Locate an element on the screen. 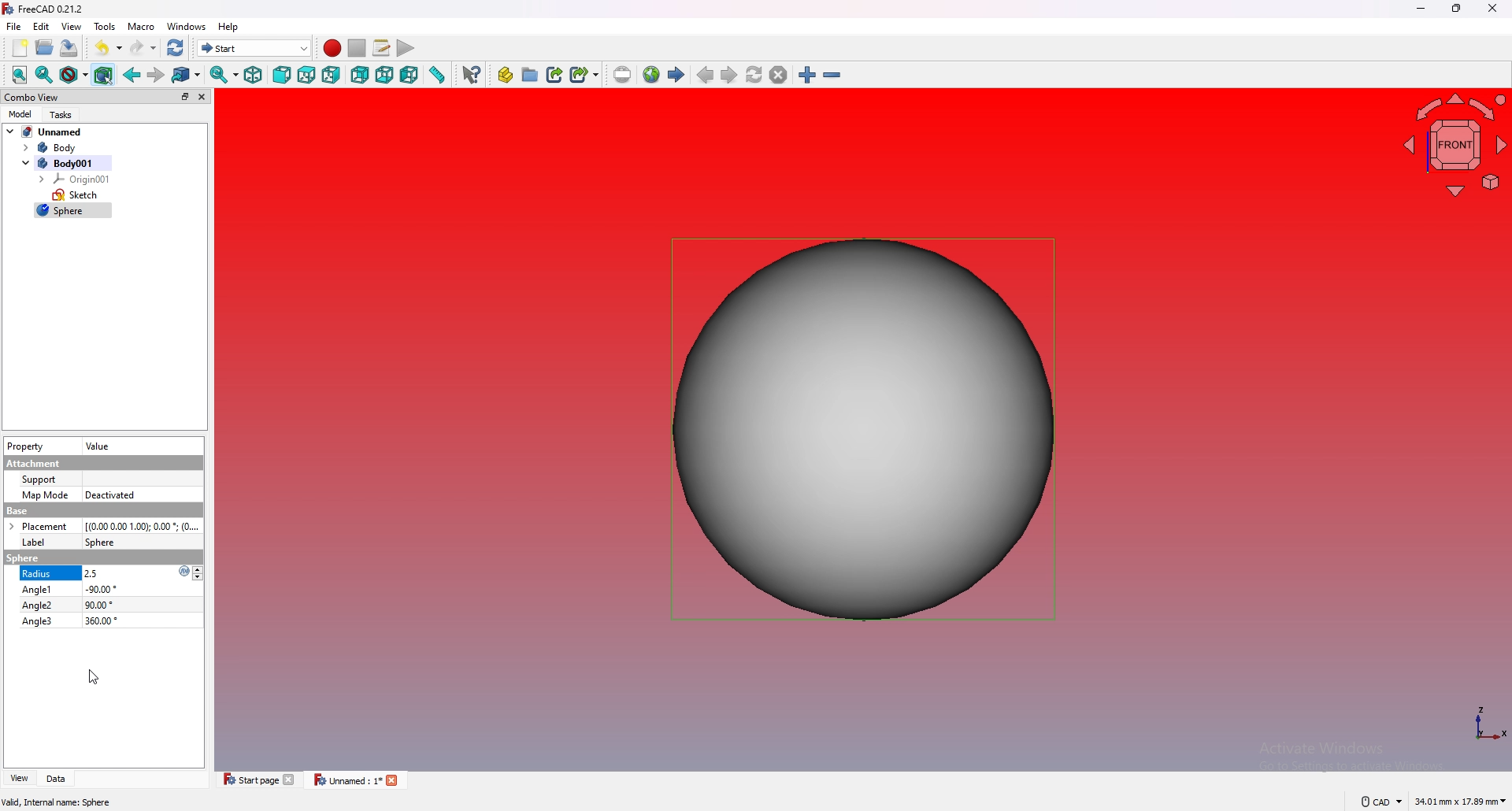 This screenshot has height=811, width=1512. resize is located at coordinates (1456, 9).